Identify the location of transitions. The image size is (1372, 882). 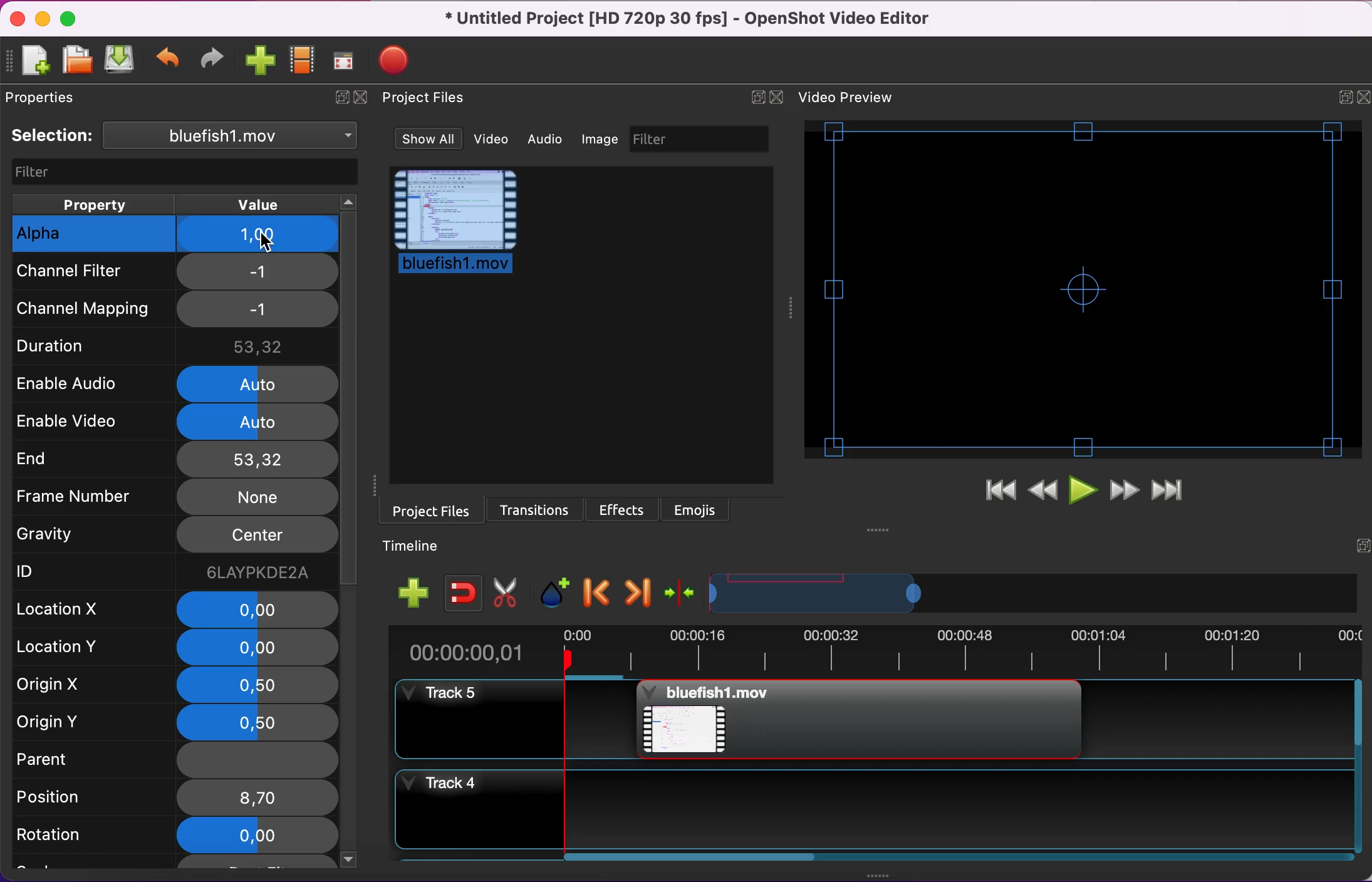
(534, 509).